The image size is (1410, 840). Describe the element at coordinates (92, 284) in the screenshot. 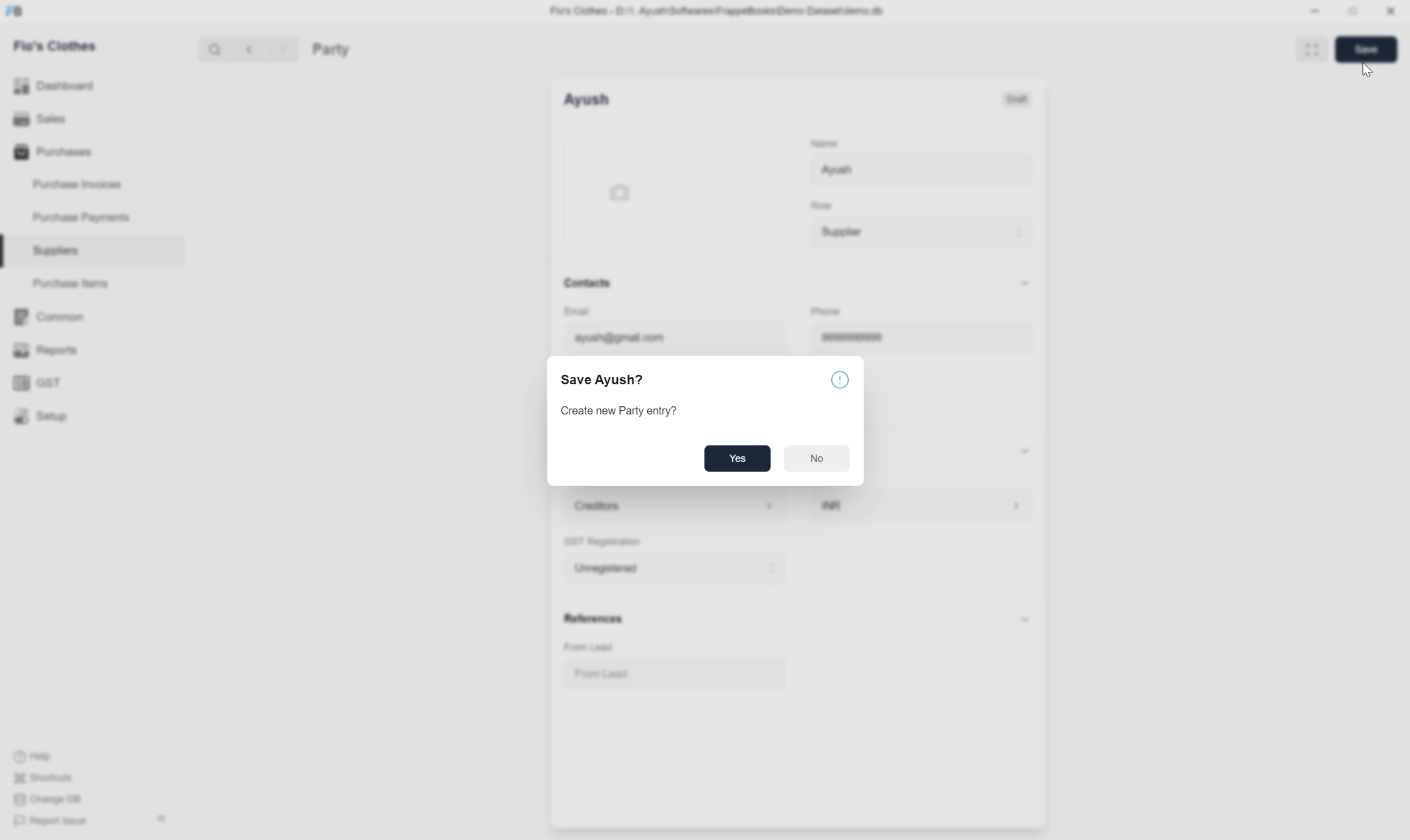

I see `Purchase Items` at that location.